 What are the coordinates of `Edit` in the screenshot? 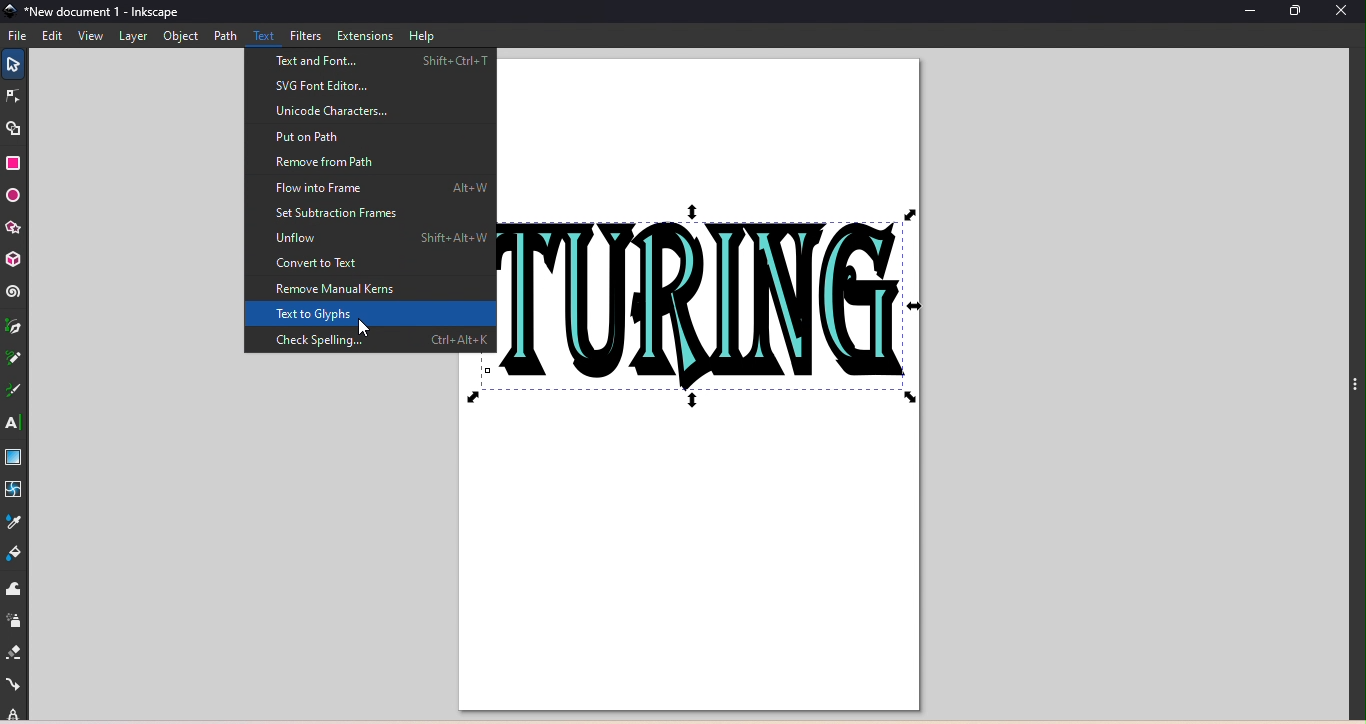 It's located at (52, 36).